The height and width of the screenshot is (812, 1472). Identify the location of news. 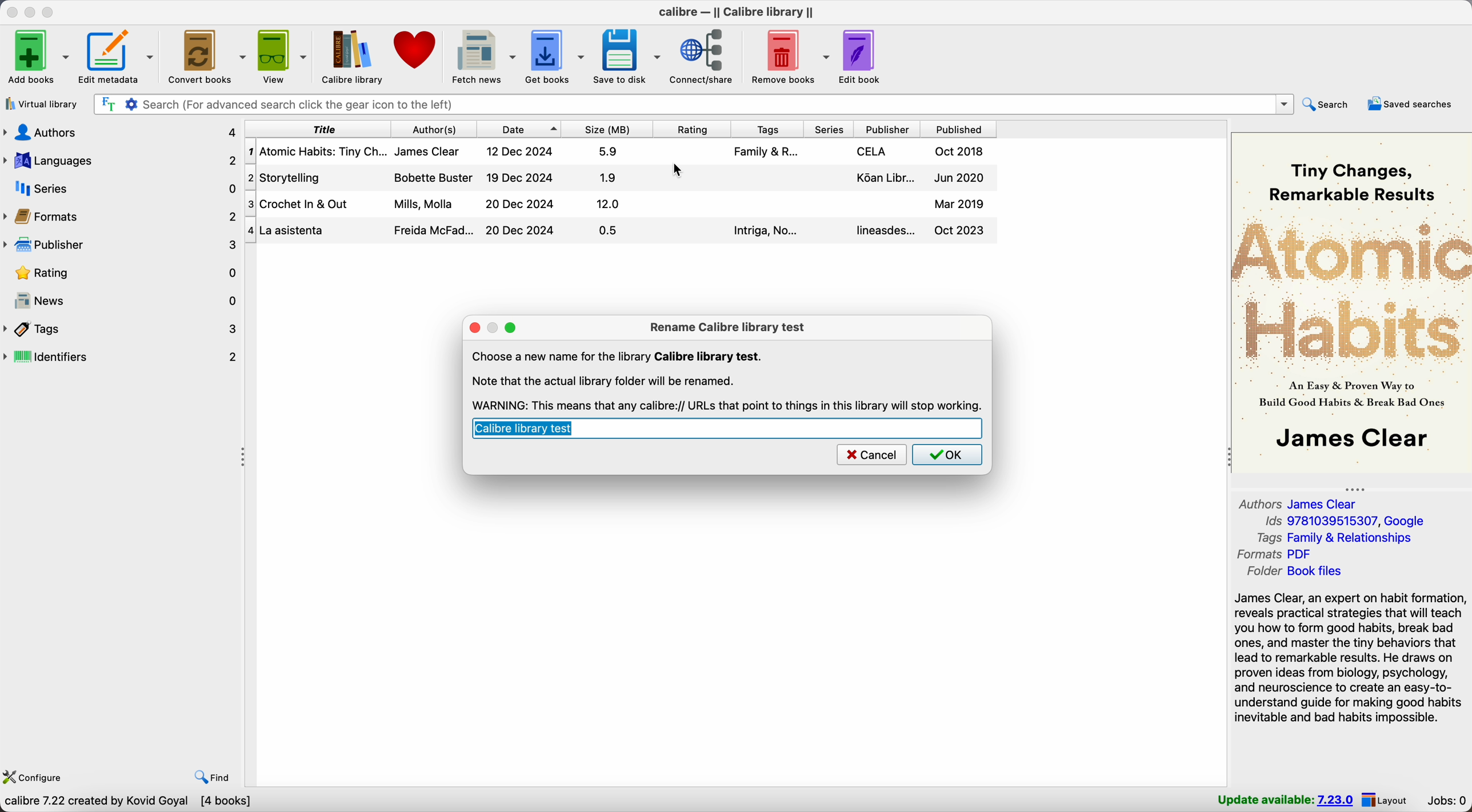
(122, 302).